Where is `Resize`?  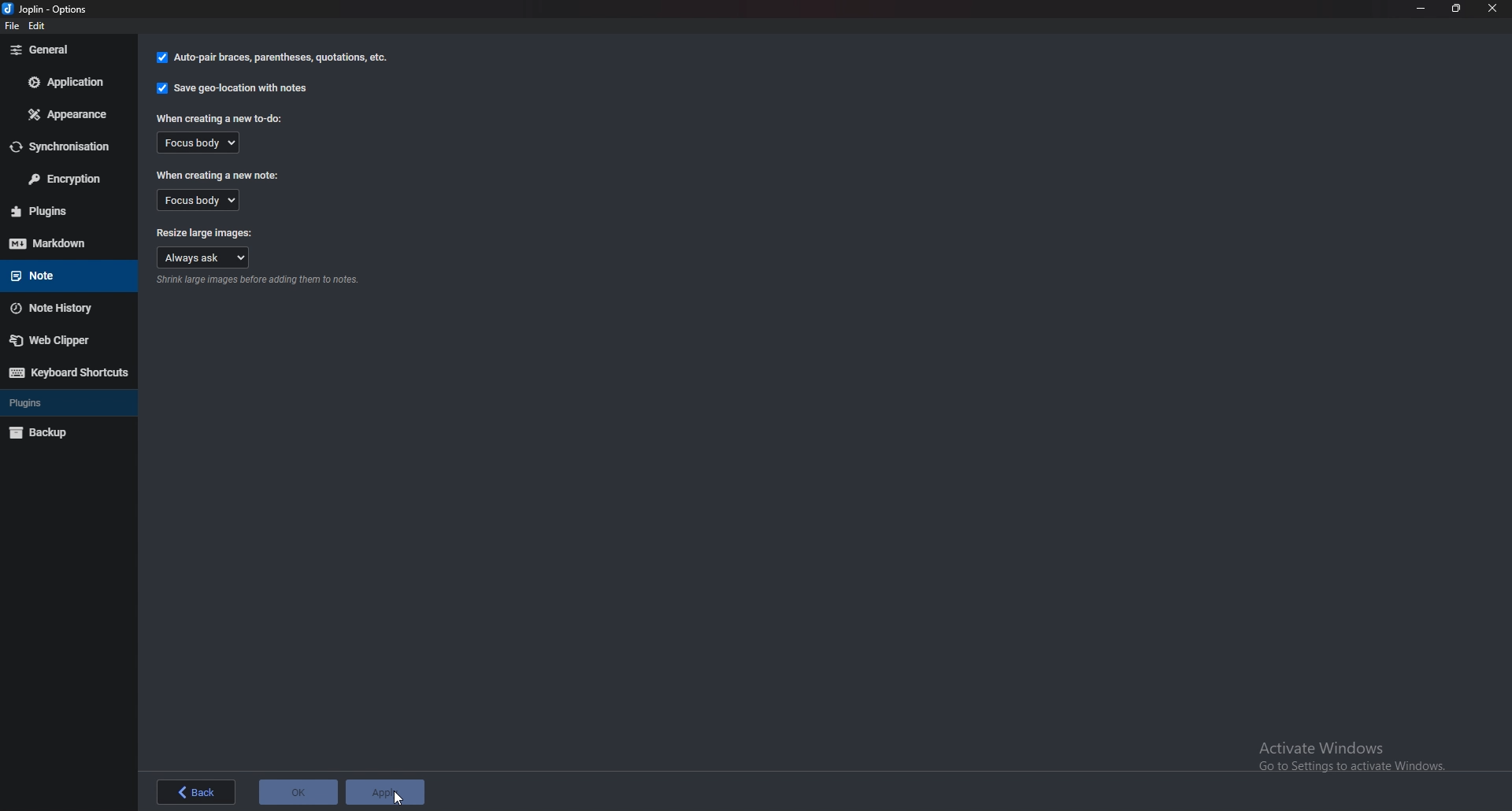 Resize is located at coordinates (1456, 8).